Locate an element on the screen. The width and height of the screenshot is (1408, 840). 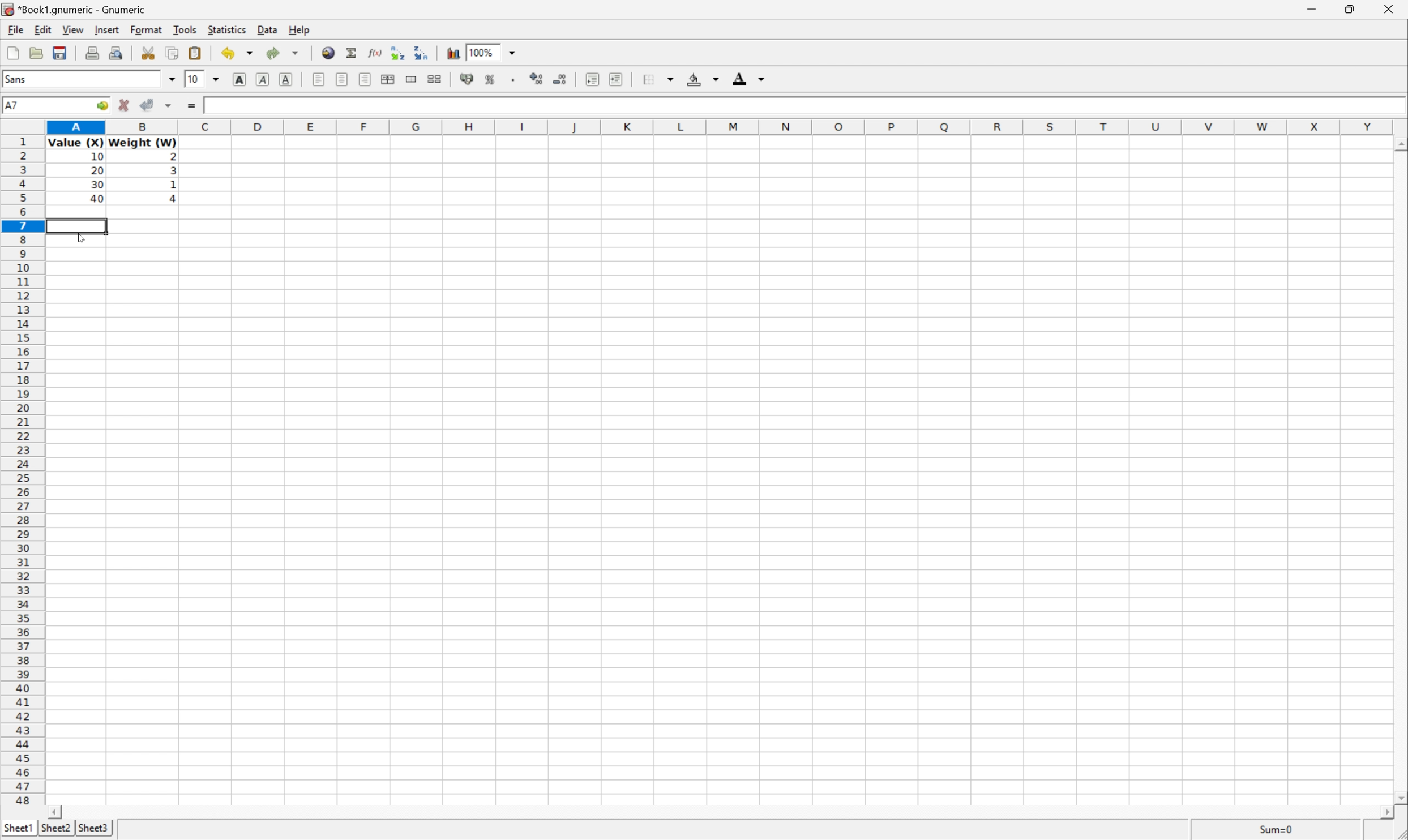
Restore Down is located at coordinates (1349, 9).